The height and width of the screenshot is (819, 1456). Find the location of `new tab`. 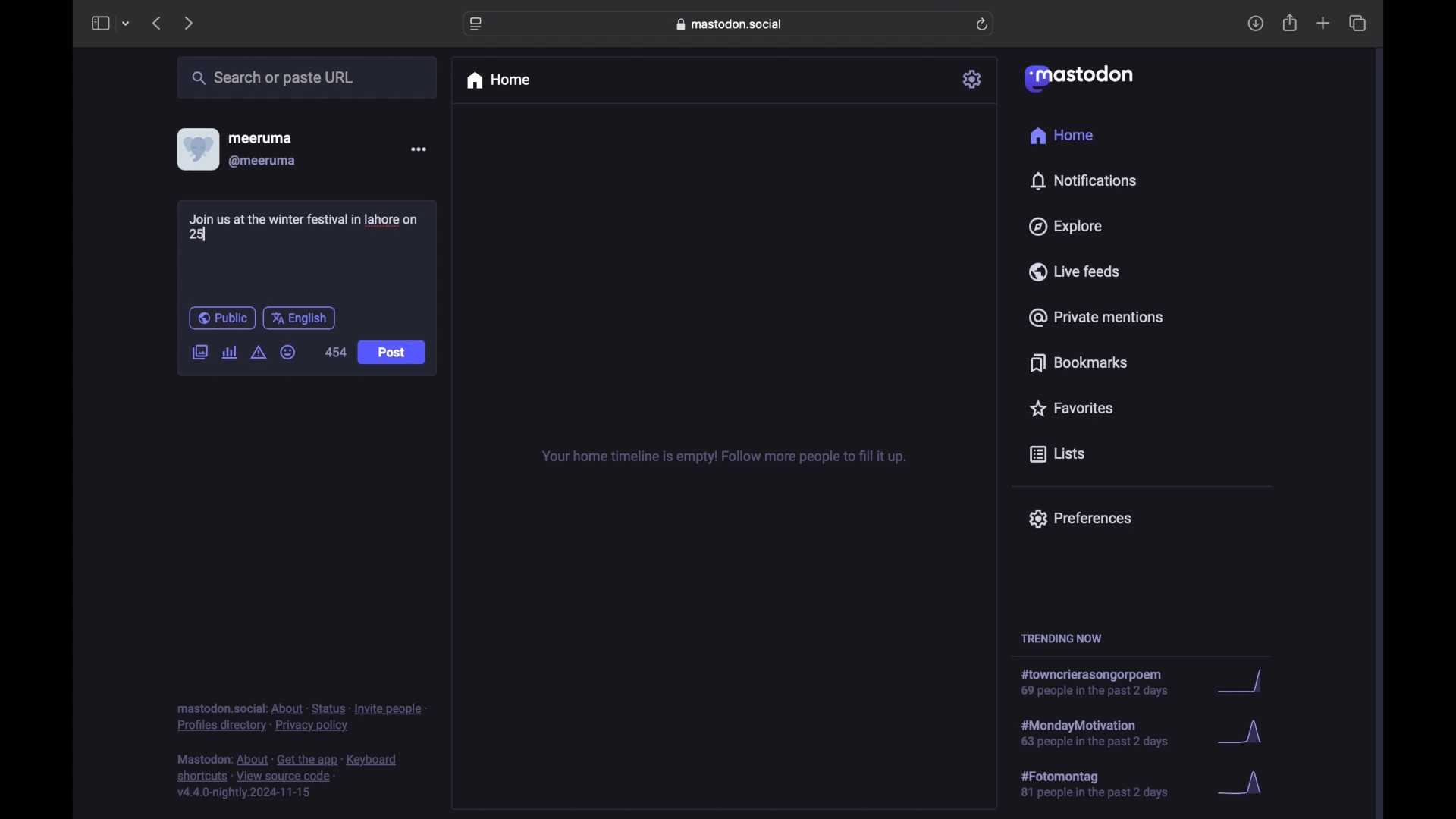

new tab is located at coordinates (1323, 23).